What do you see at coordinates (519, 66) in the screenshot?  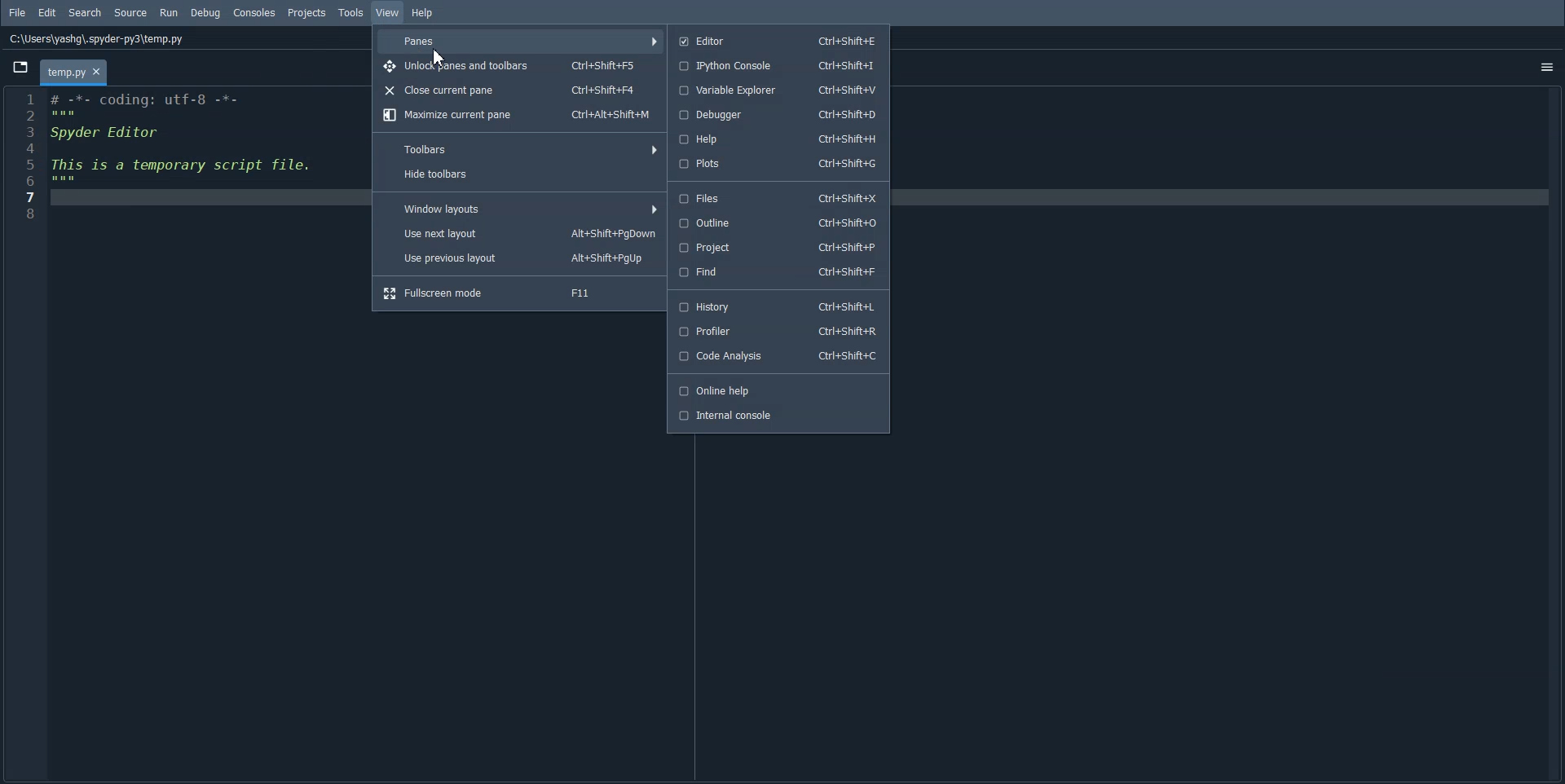 I see `Unlock panes and toolbars` at bounding box center [519, 66].